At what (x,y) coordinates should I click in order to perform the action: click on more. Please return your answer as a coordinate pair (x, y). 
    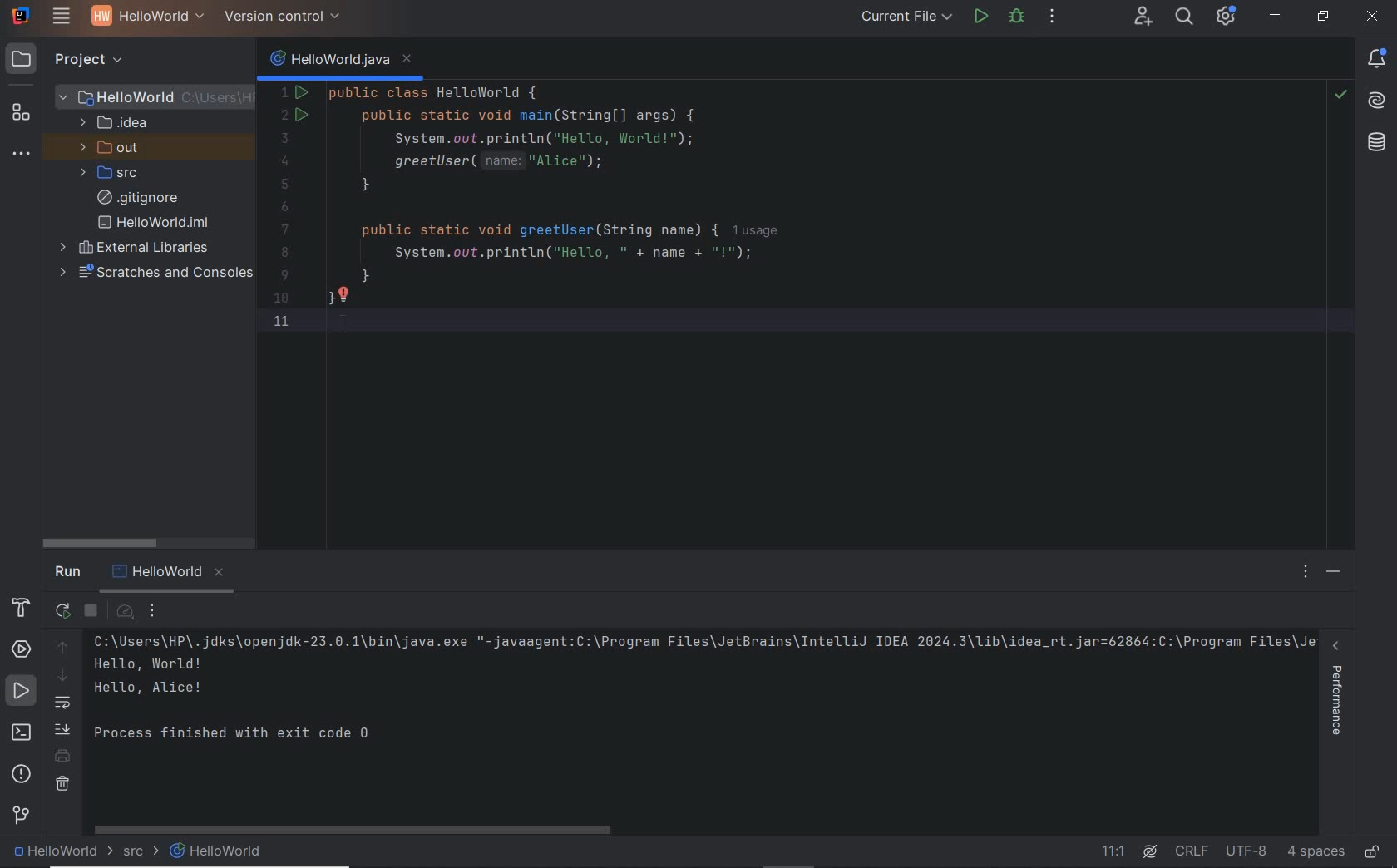
    Looking at the image, I should click on (160, 611).